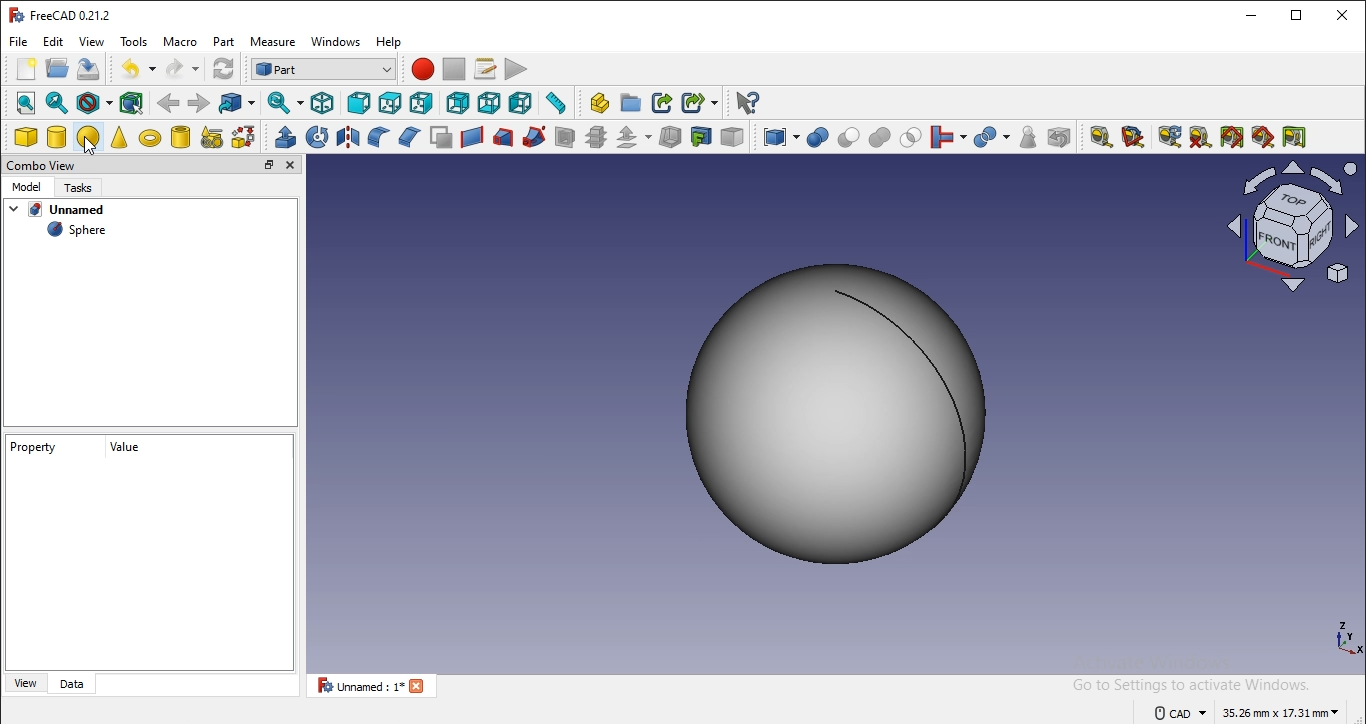  What do you see at coordinates (286, 136) in the screenshot?
I see `extrude` at bounding box center [286, 136].